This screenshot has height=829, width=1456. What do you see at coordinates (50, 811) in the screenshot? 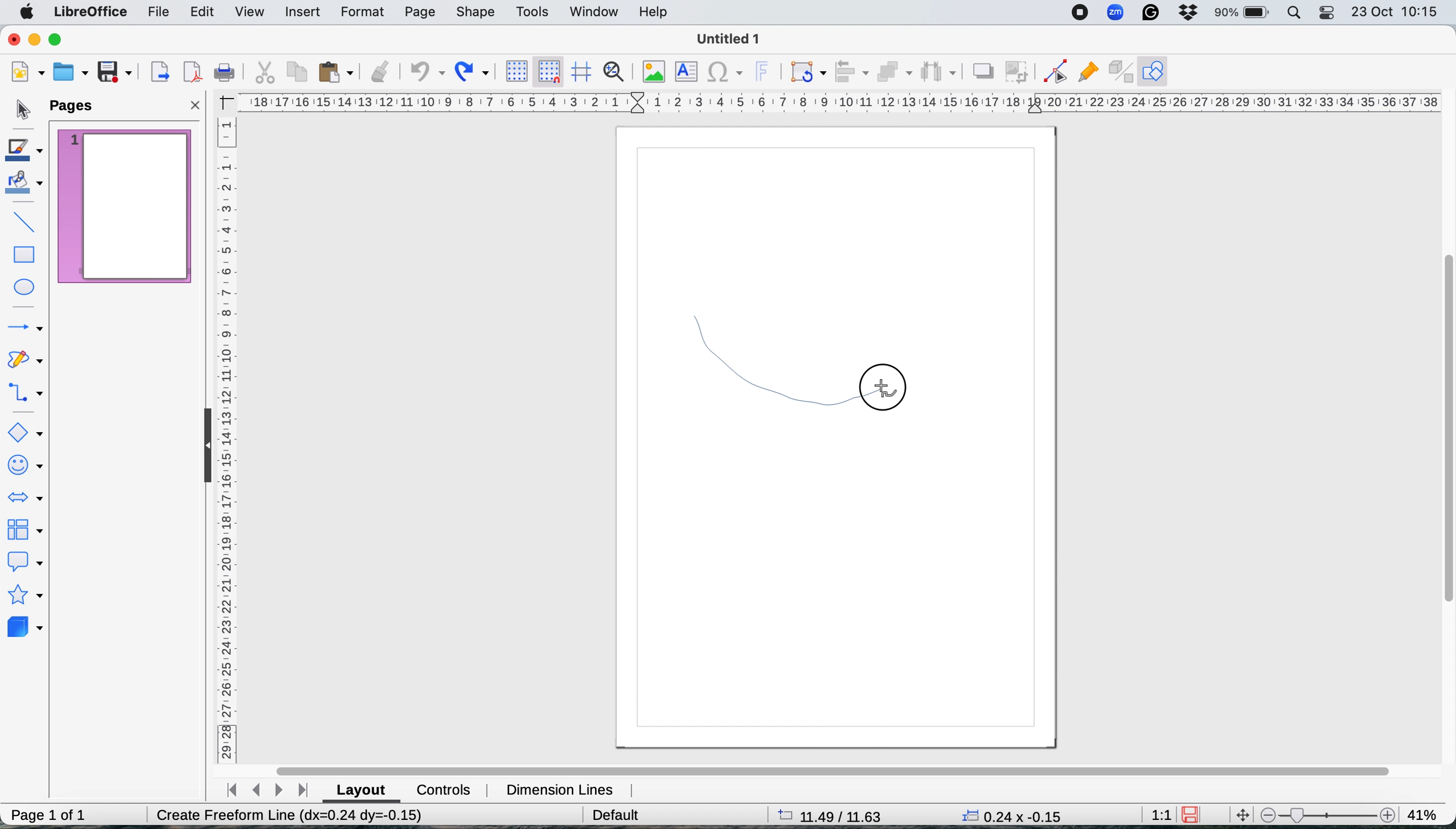
I see `page 1 of 1` at bounding box center [50, 811].